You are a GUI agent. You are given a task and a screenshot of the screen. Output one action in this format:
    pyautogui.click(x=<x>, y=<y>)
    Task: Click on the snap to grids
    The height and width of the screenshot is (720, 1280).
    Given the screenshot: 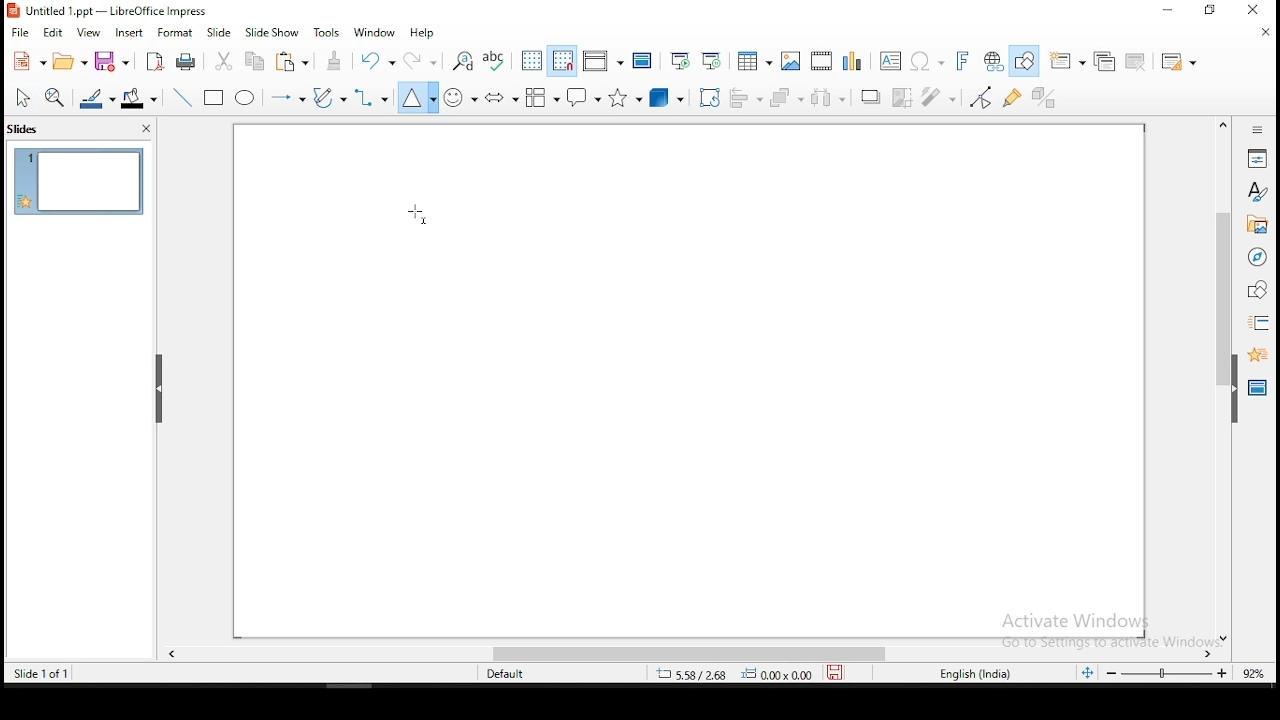 What is the action you would take?
    pyautogui.click(x=564, y=61)
    